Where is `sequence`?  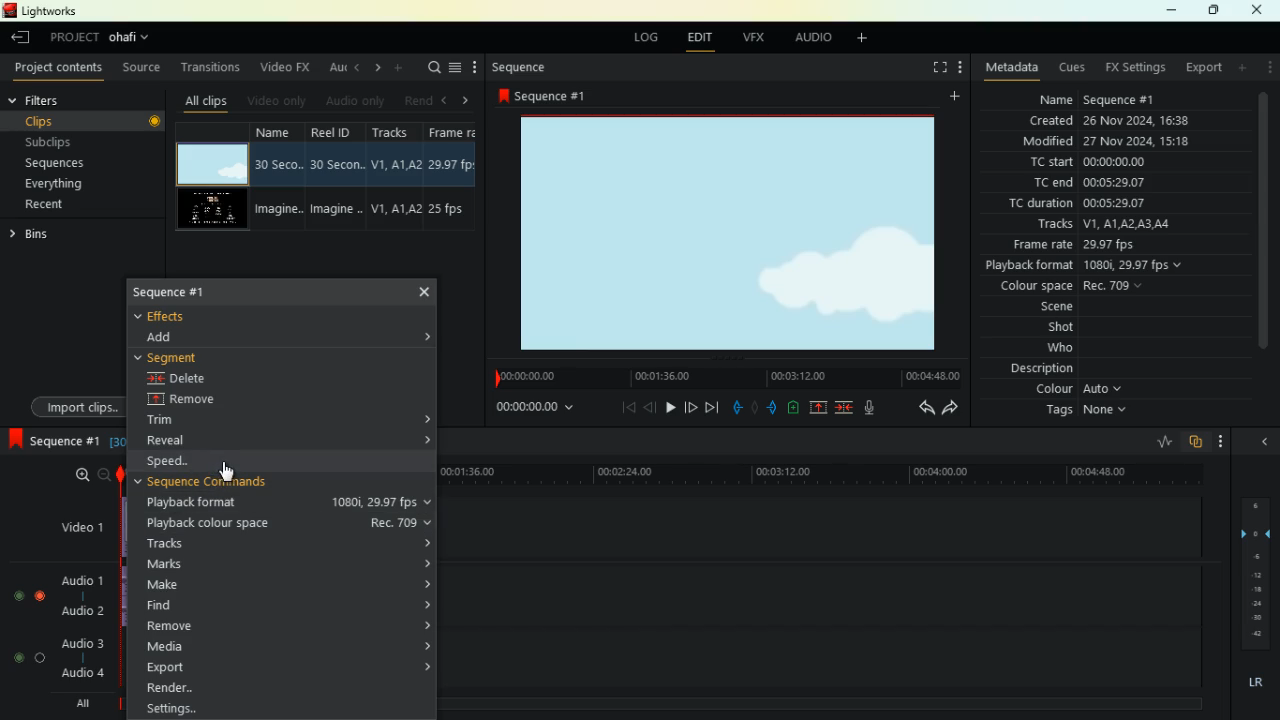
sequence is located at coordinates (50, 438).